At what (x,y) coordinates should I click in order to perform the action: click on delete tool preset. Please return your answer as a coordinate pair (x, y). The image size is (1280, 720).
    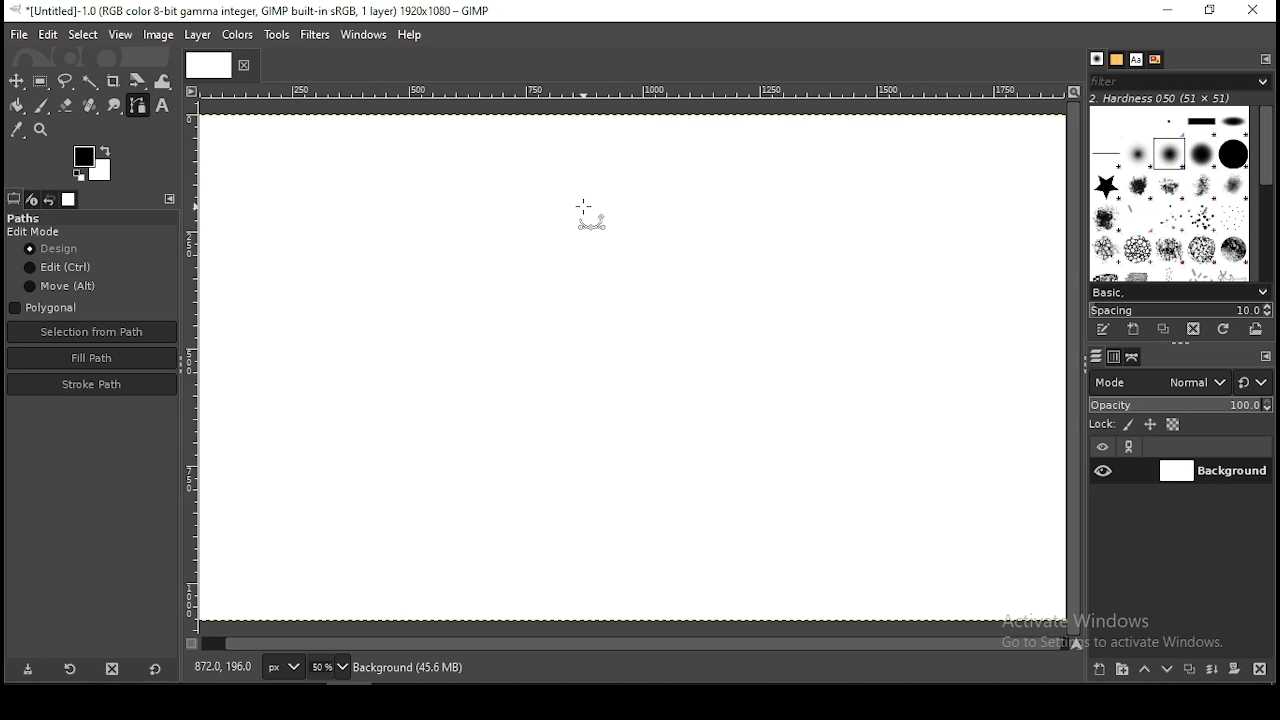
    Looking at the image, I should click on (113, 672).